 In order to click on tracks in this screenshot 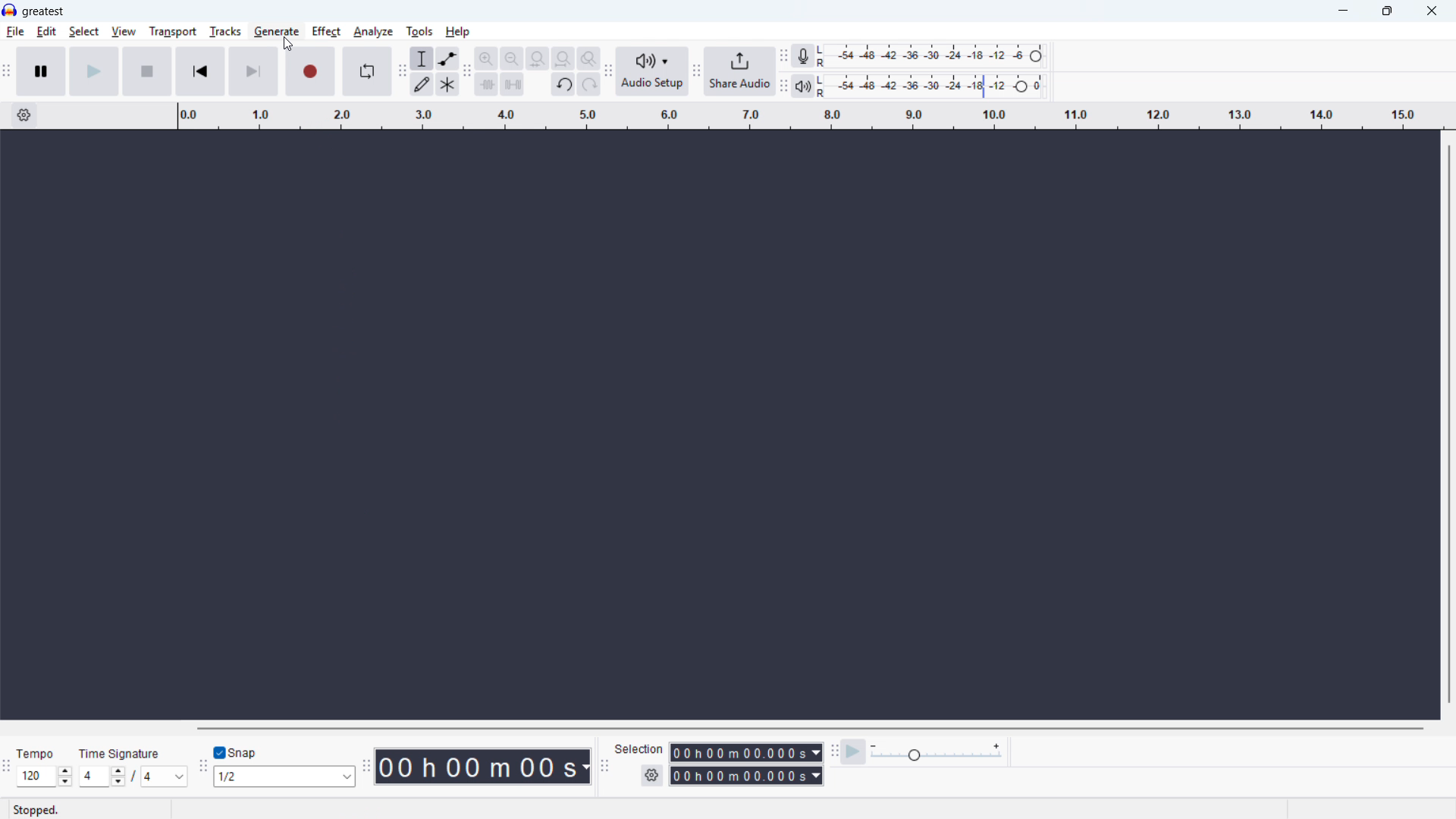, I will do `click(224, 31)`.